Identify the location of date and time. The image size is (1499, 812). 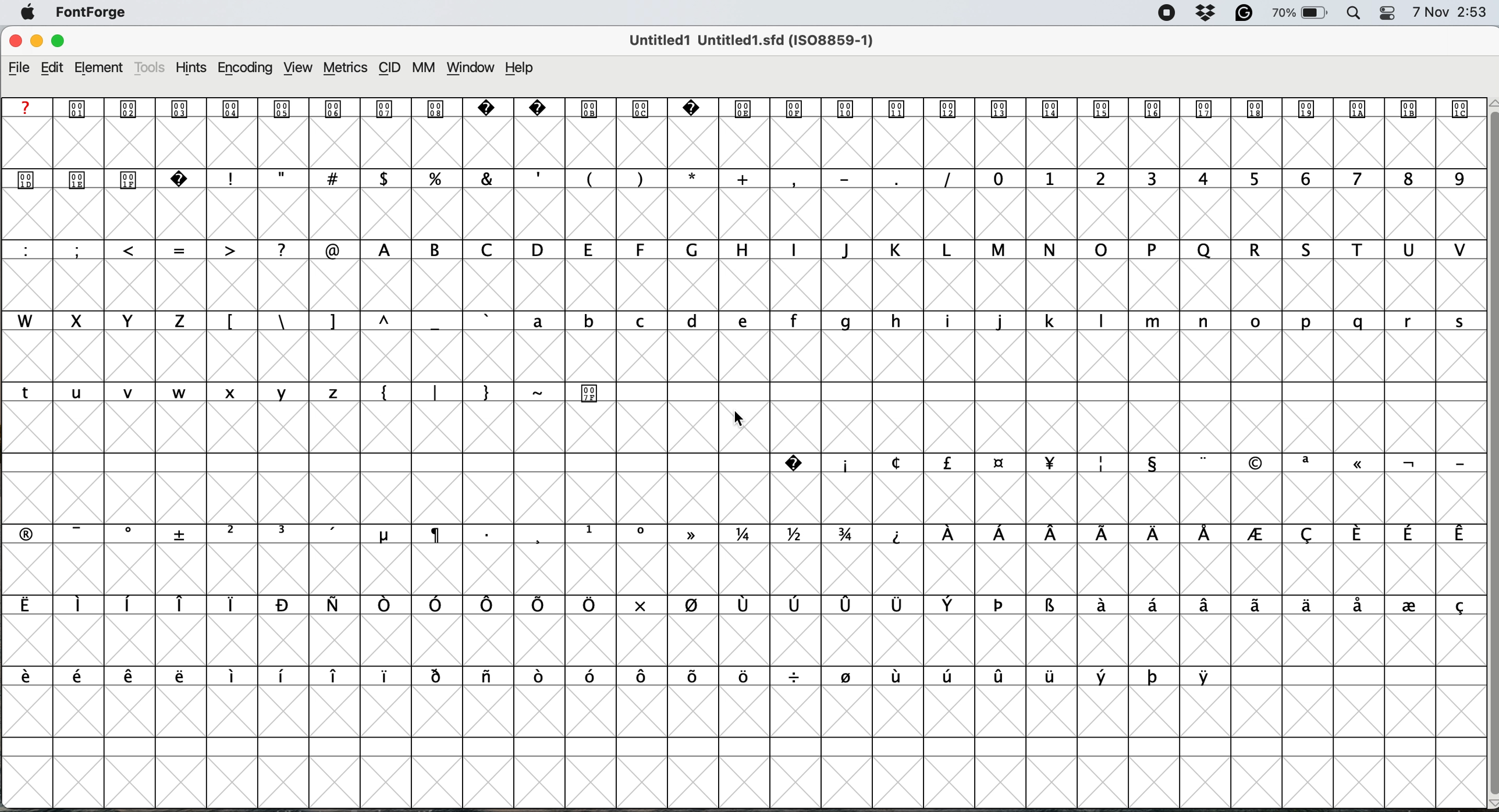
(1450, 13).